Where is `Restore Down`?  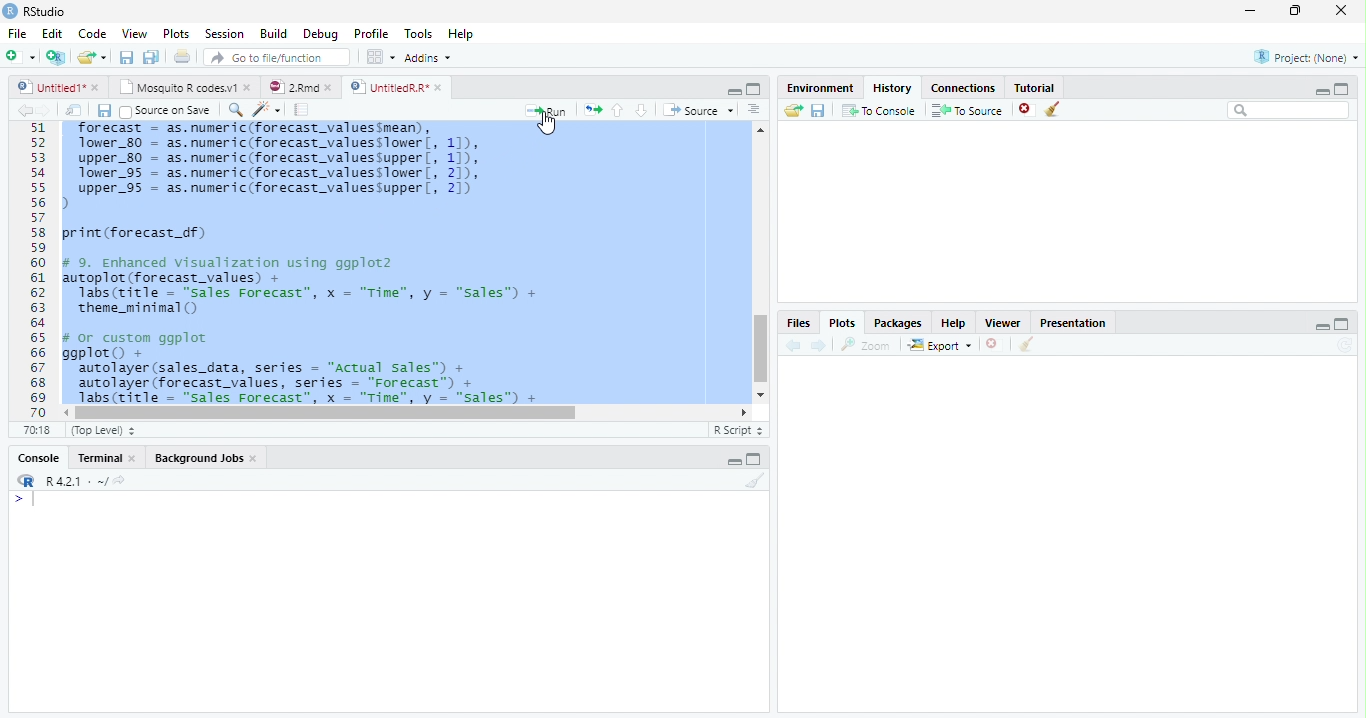 Restore Down is located at coordinates (1296, 12).